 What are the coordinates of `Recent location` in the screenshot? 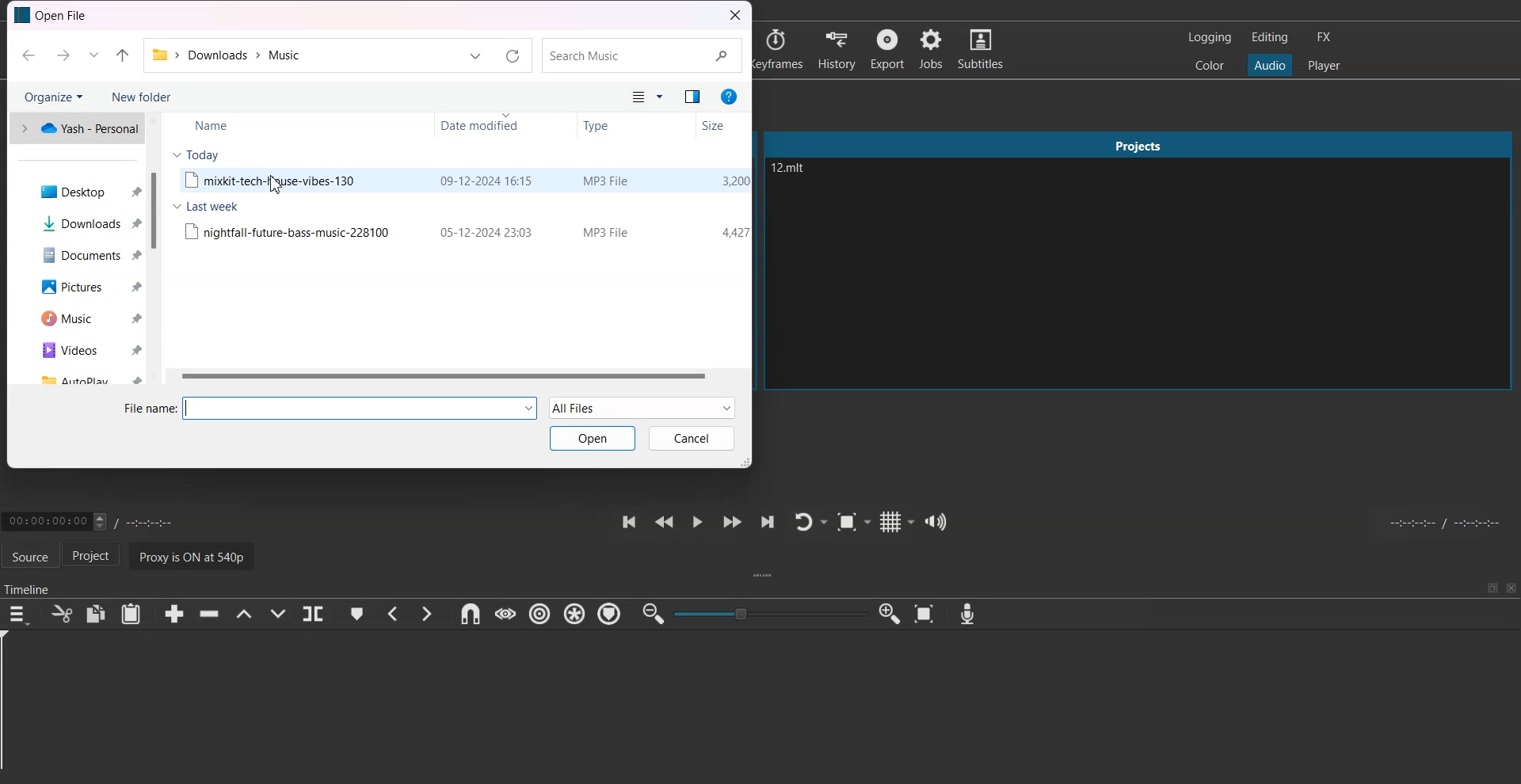 It's located at (93, 55).